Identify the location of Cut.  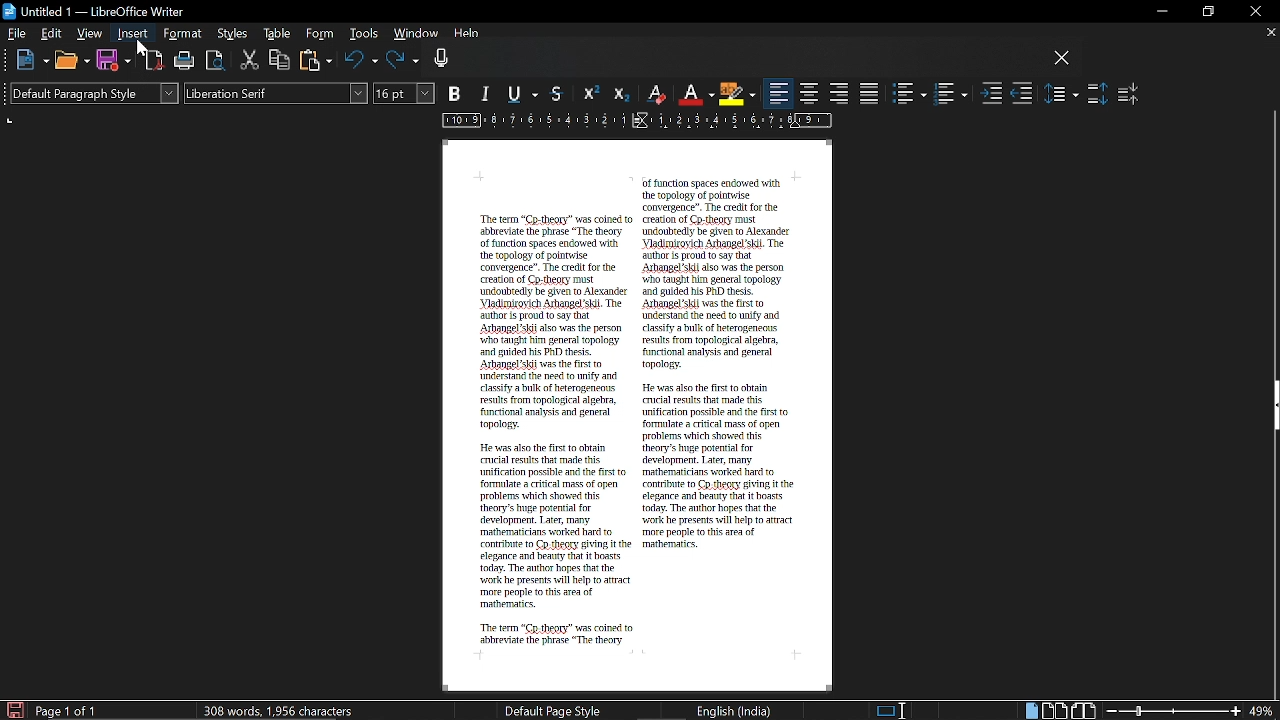
(250, 61).